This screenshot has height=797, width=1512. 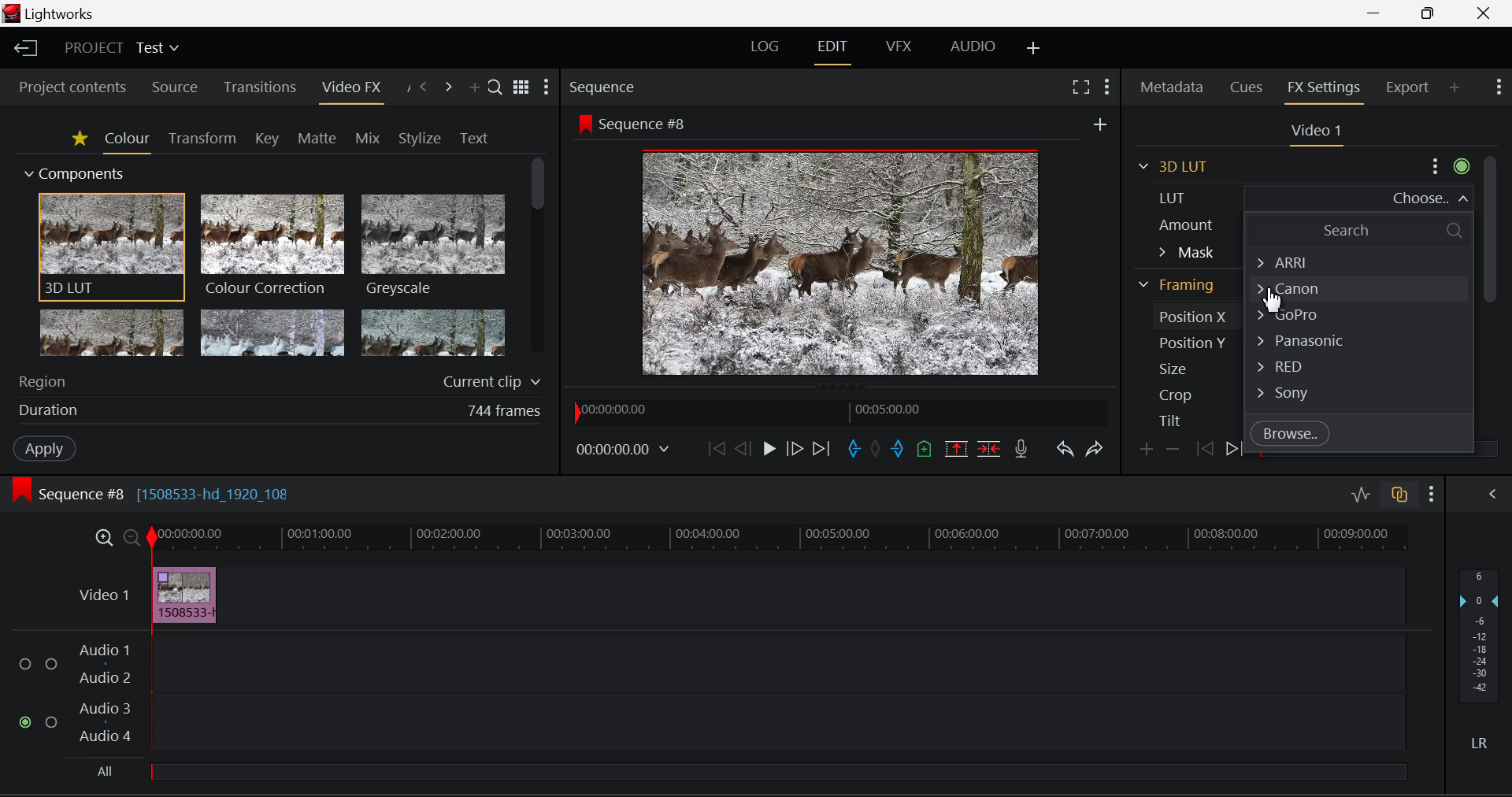 I want to click on Add keyframe, so click(x=1145, y=451).